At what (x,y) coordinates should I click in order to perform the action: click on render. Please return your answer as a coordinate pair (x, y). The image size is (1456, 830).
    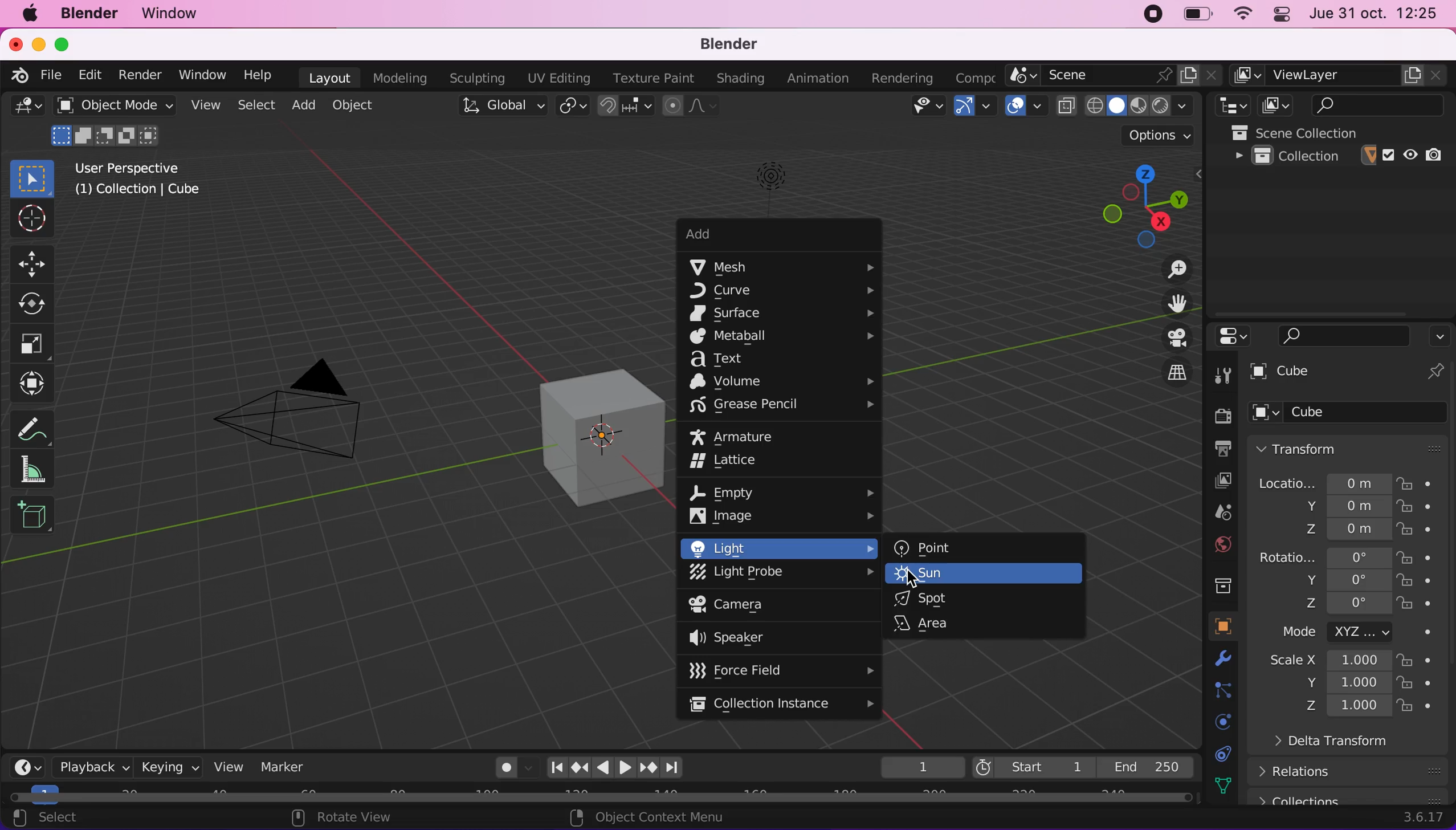
    Looking at the image, I should click on (1218, 415).